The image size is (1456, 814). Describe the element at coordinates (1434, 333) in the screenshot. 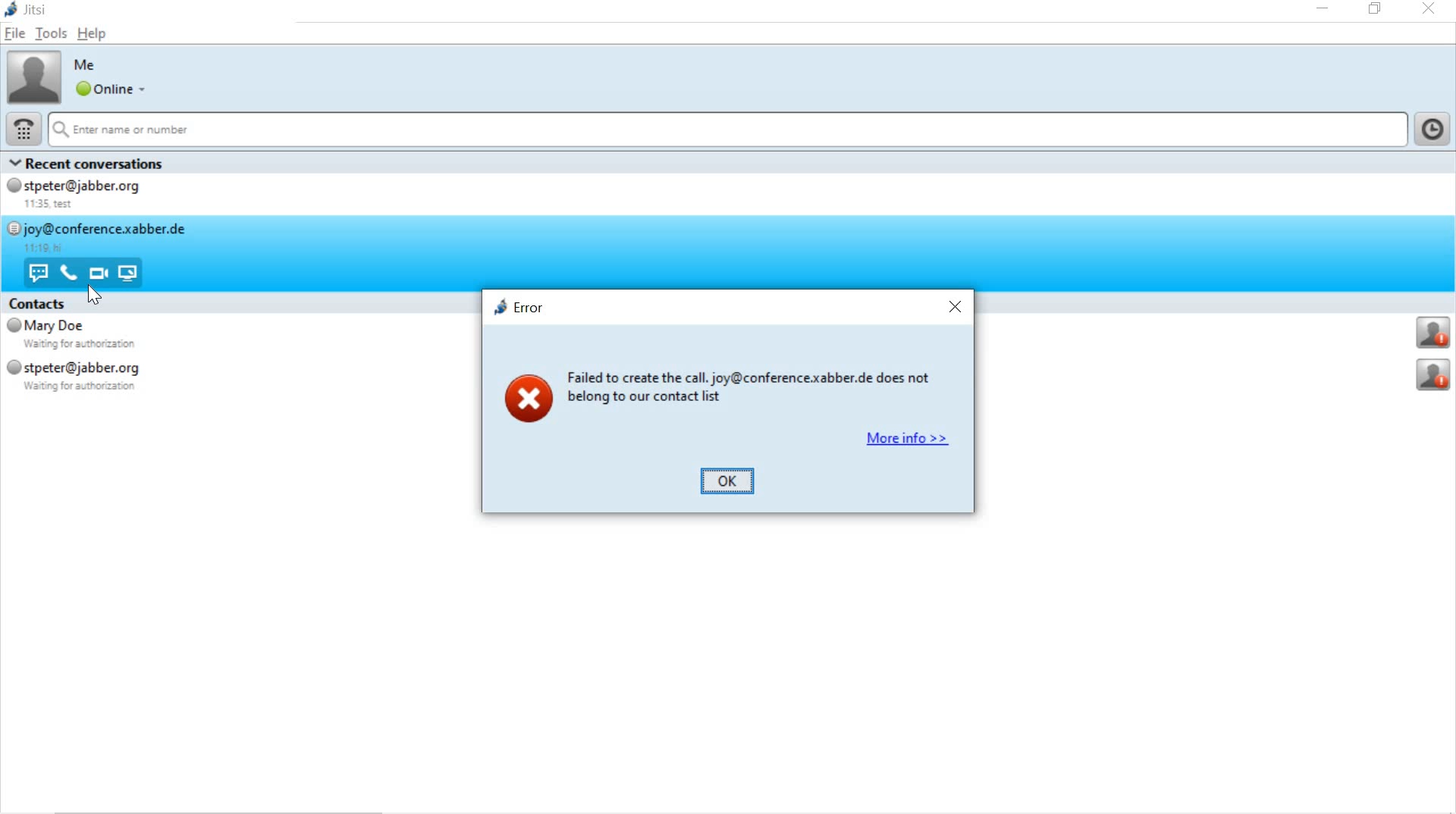

I see `profile` at that location.